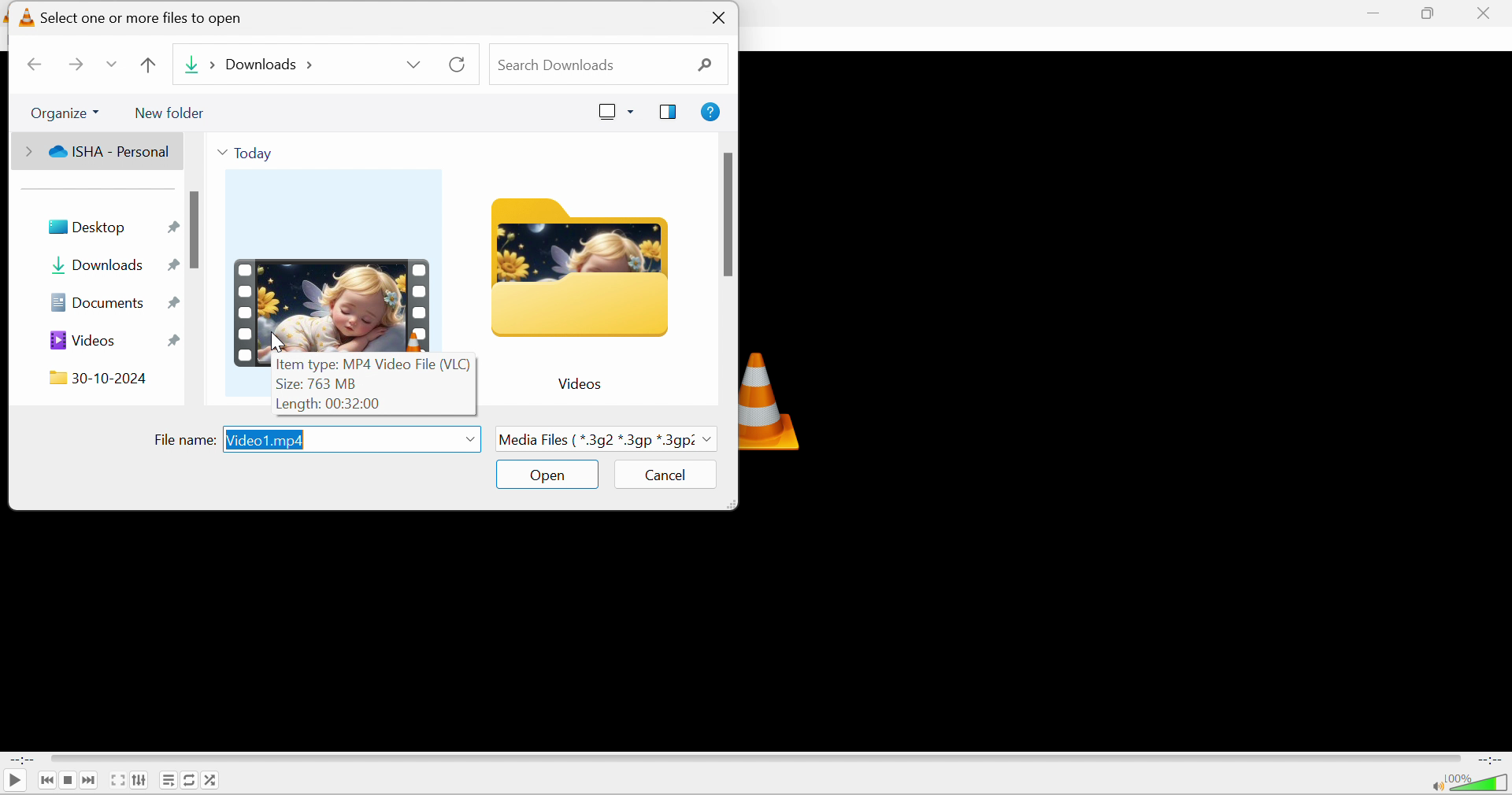 The image size is (1512, 795). I want to click on Forward, so click(74, 65).